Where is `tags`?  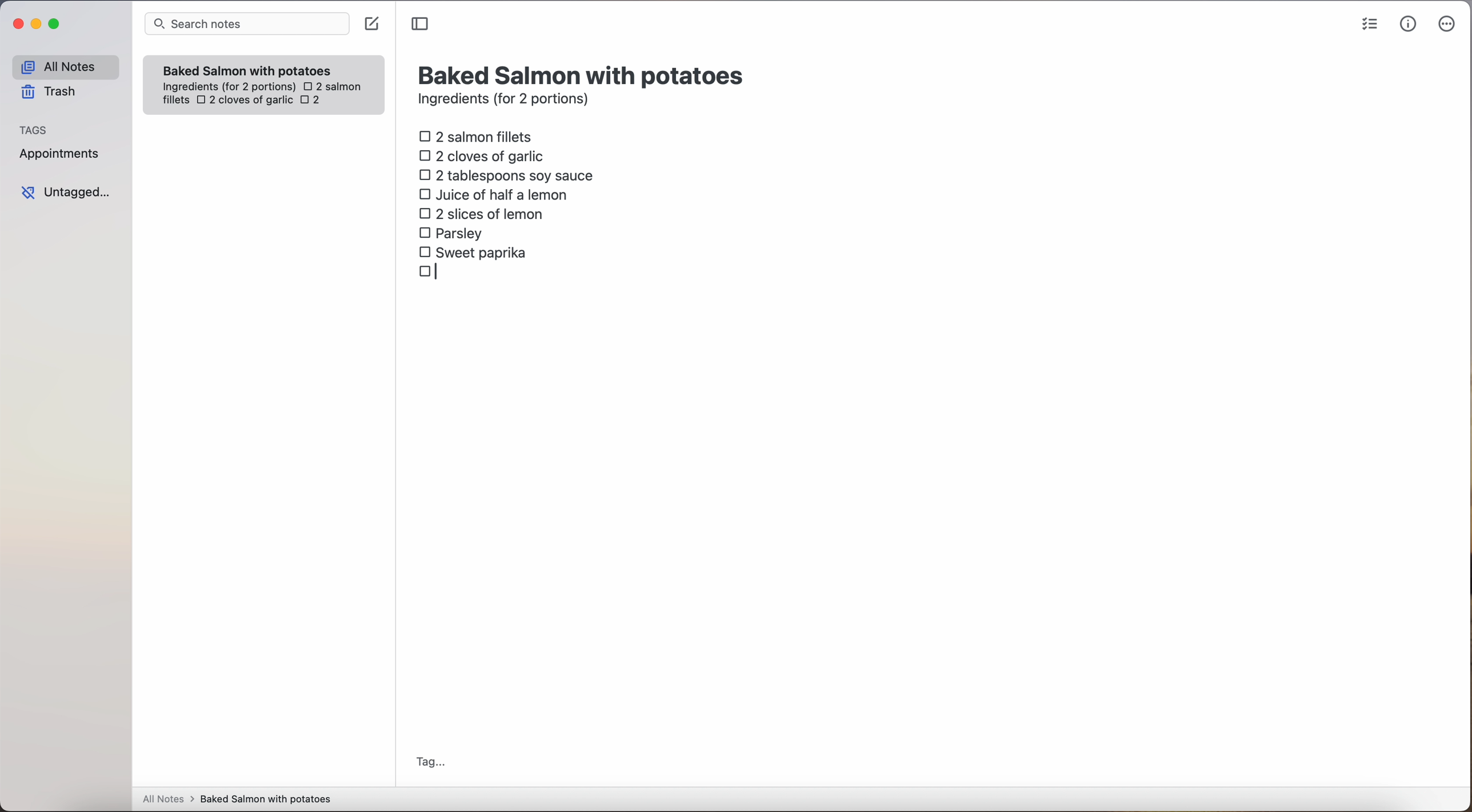 tags is located at coordinates (34, 129).